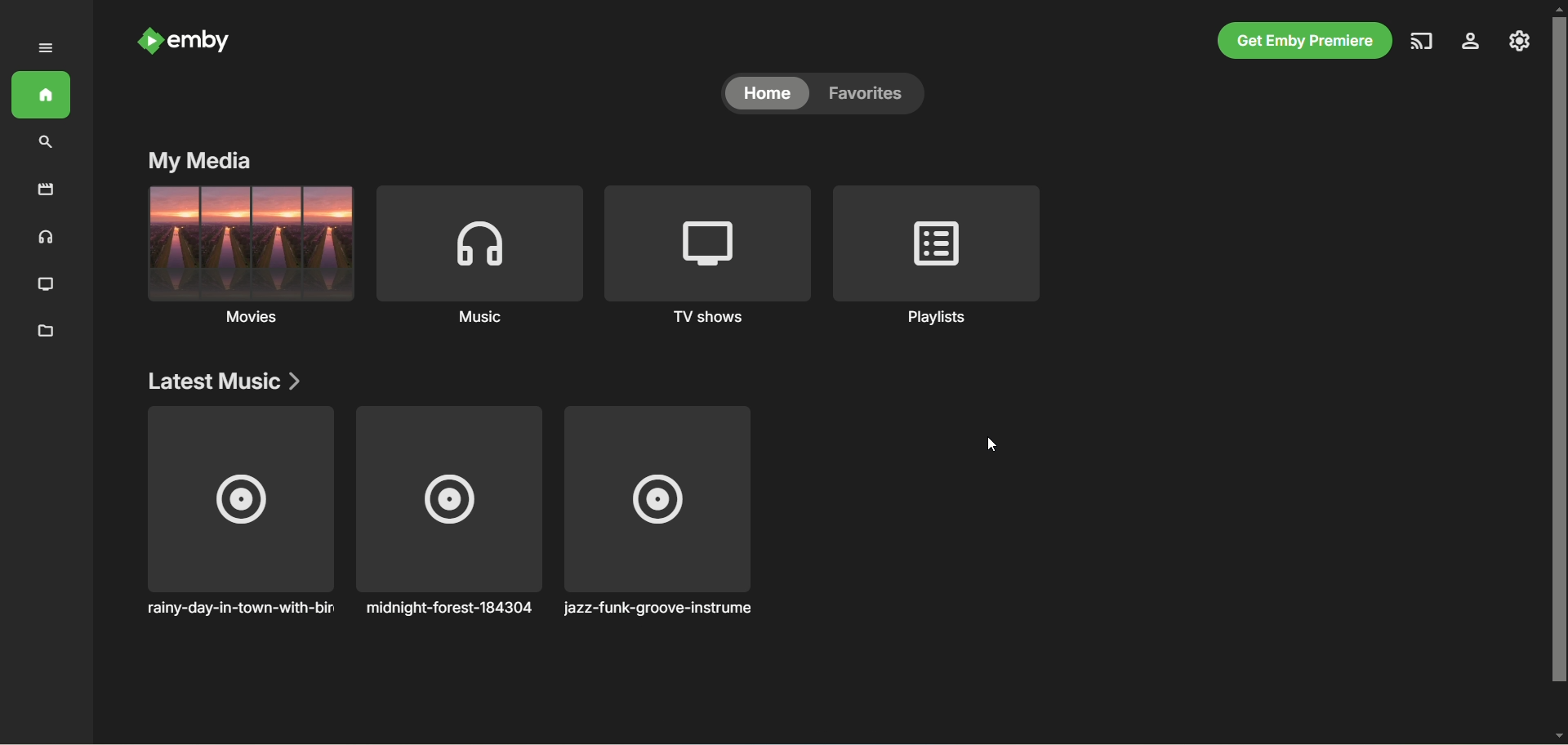  What do you see at coordinates (1558, 374) in the screenshot?
I see `vertical scroll bar` at bounding box center [1558, 374].